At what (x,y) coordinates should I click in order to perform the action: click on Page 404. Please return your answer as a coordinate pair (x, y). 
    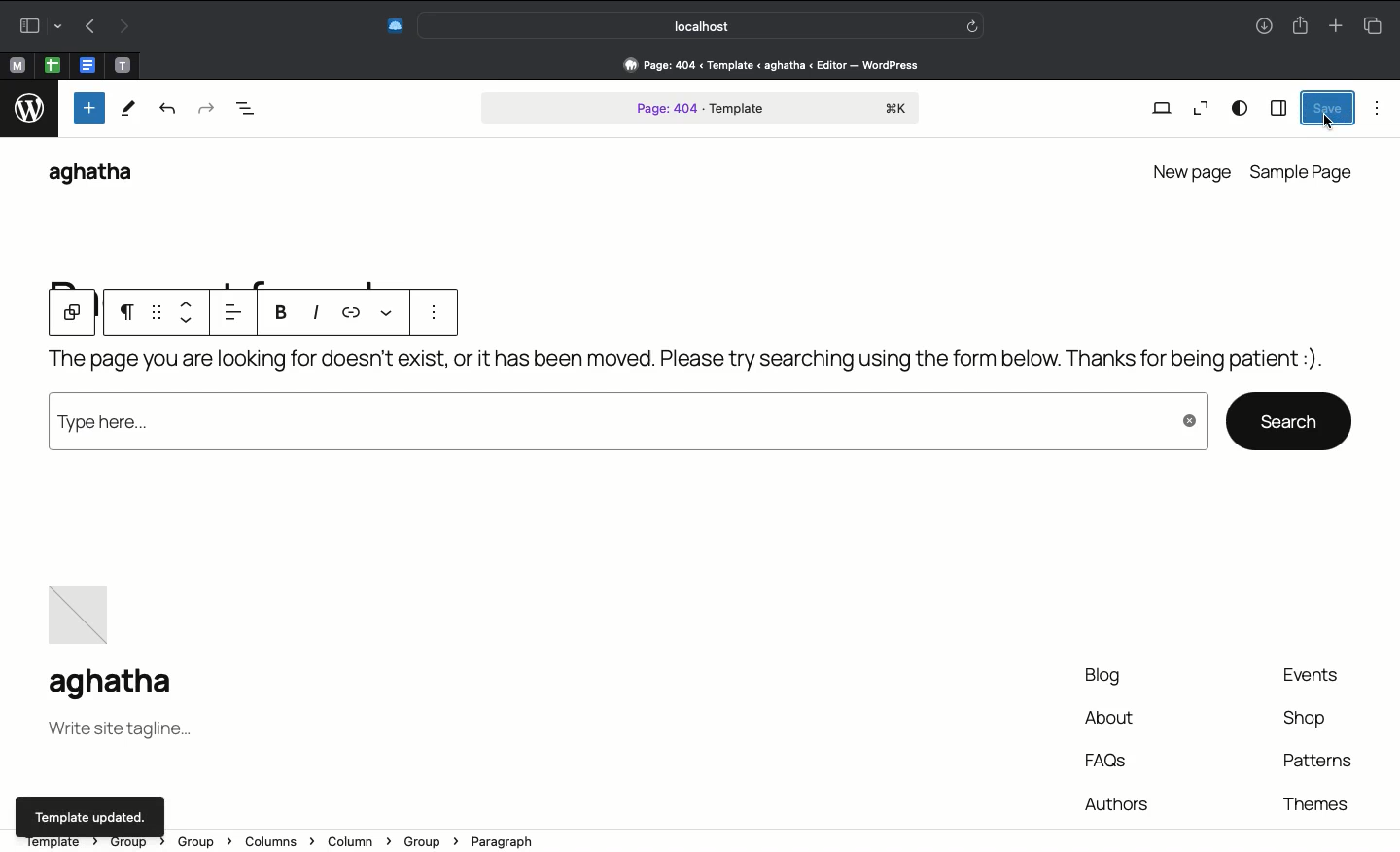
    Looking at the image, I should click on (701, 110).